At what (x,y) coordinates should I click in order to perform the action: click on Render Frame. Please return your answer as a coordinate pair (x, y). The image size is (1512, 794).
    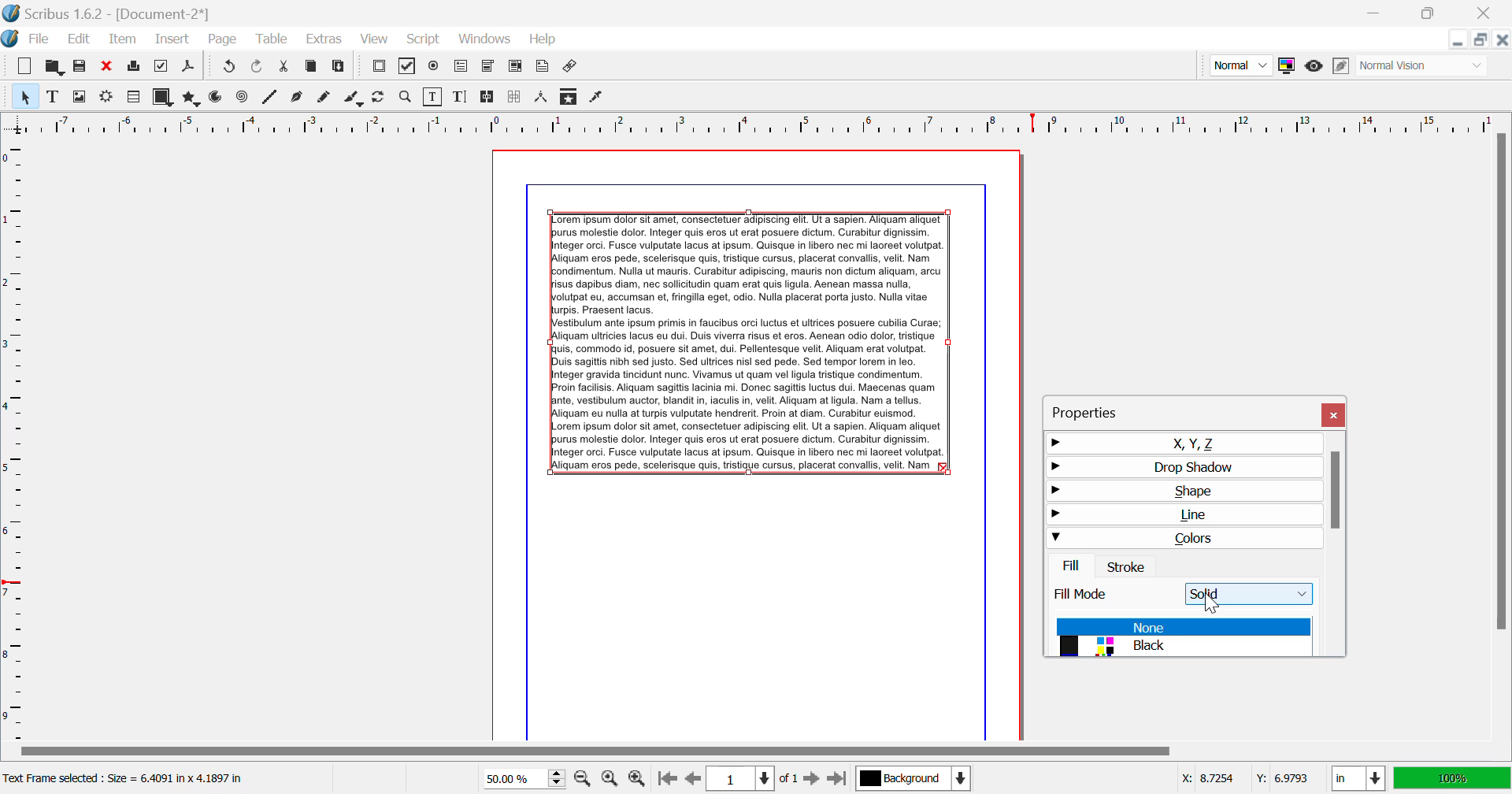
    Looking at the image, I should click on (106, 98).